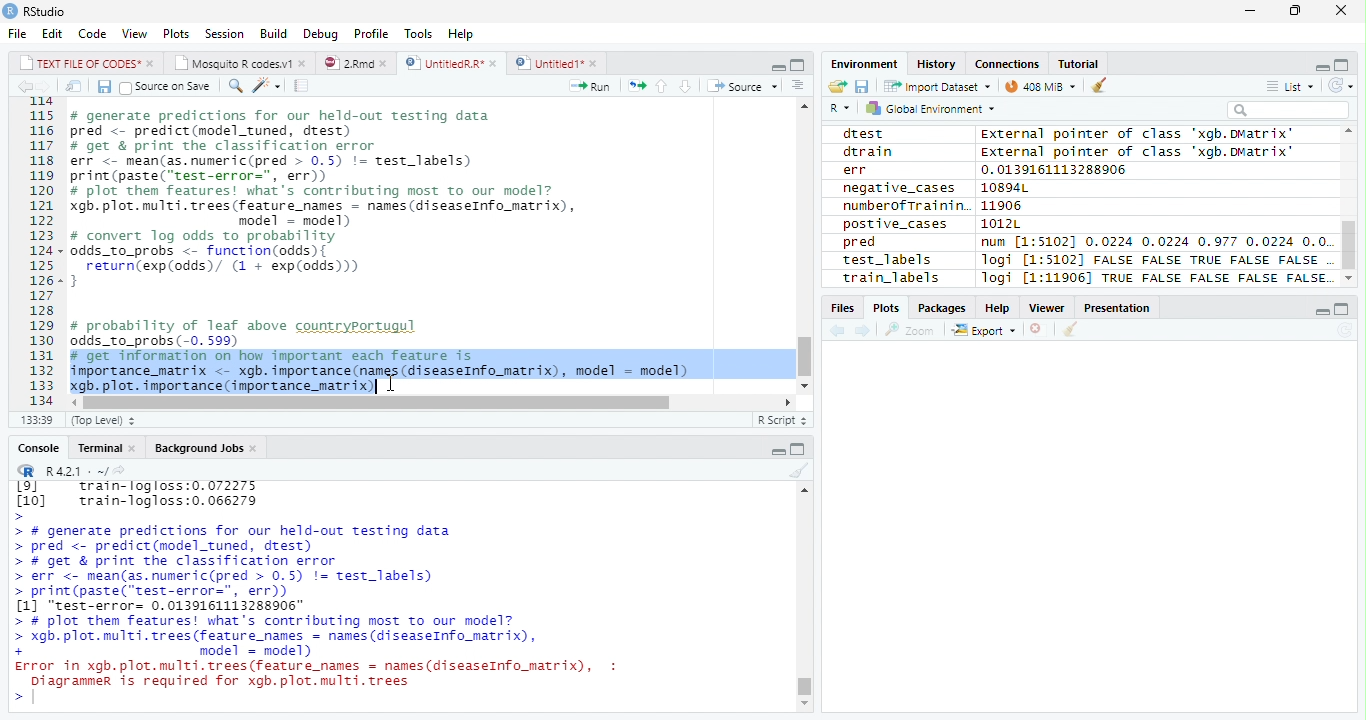  Describe the element at coordinates (995, 307) in the screenshot. I see `Help` at that location.